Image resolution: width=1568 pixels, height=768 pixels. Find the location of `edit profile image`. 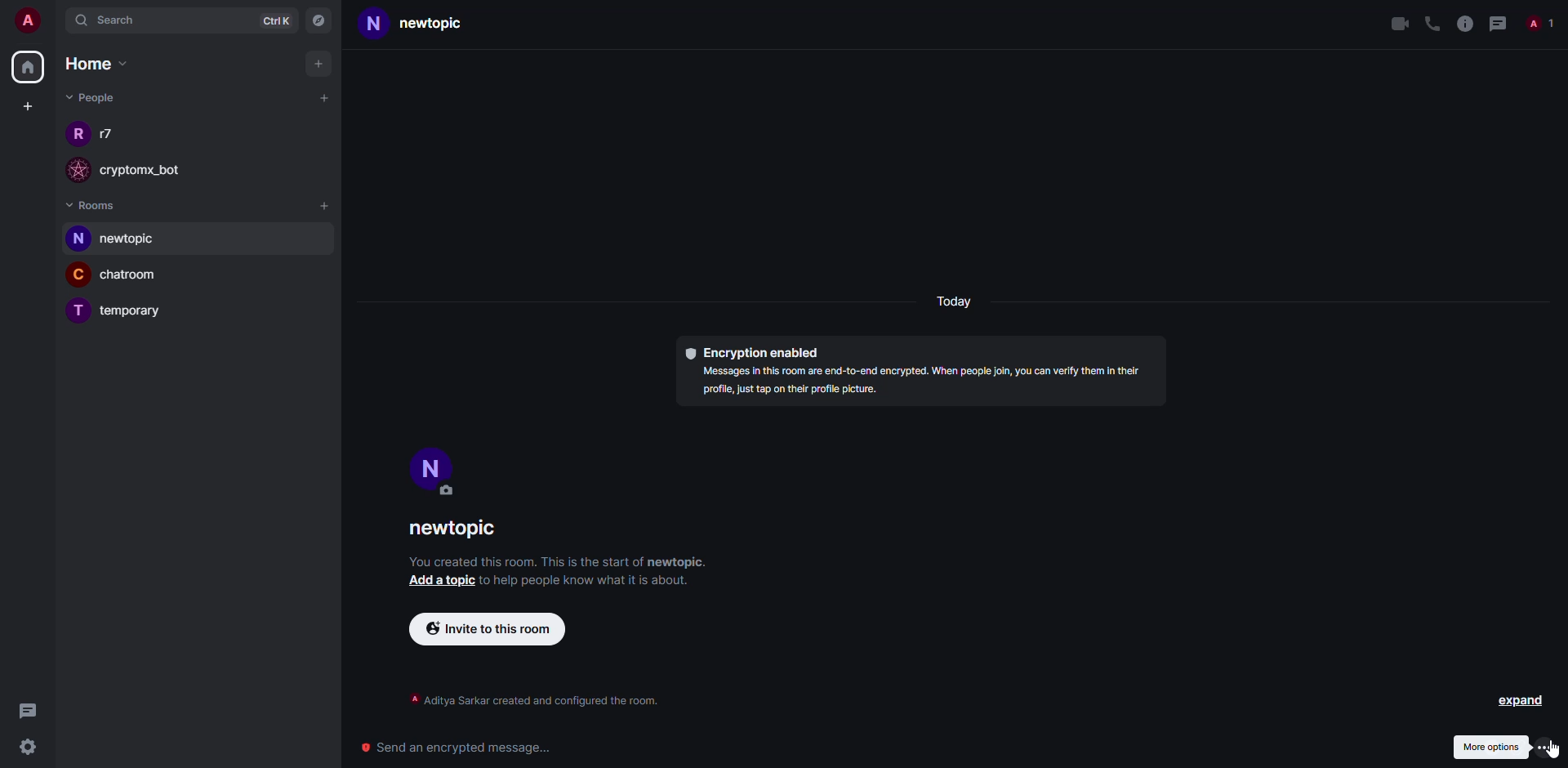

edit profile image is located at coordinates (452, 493).